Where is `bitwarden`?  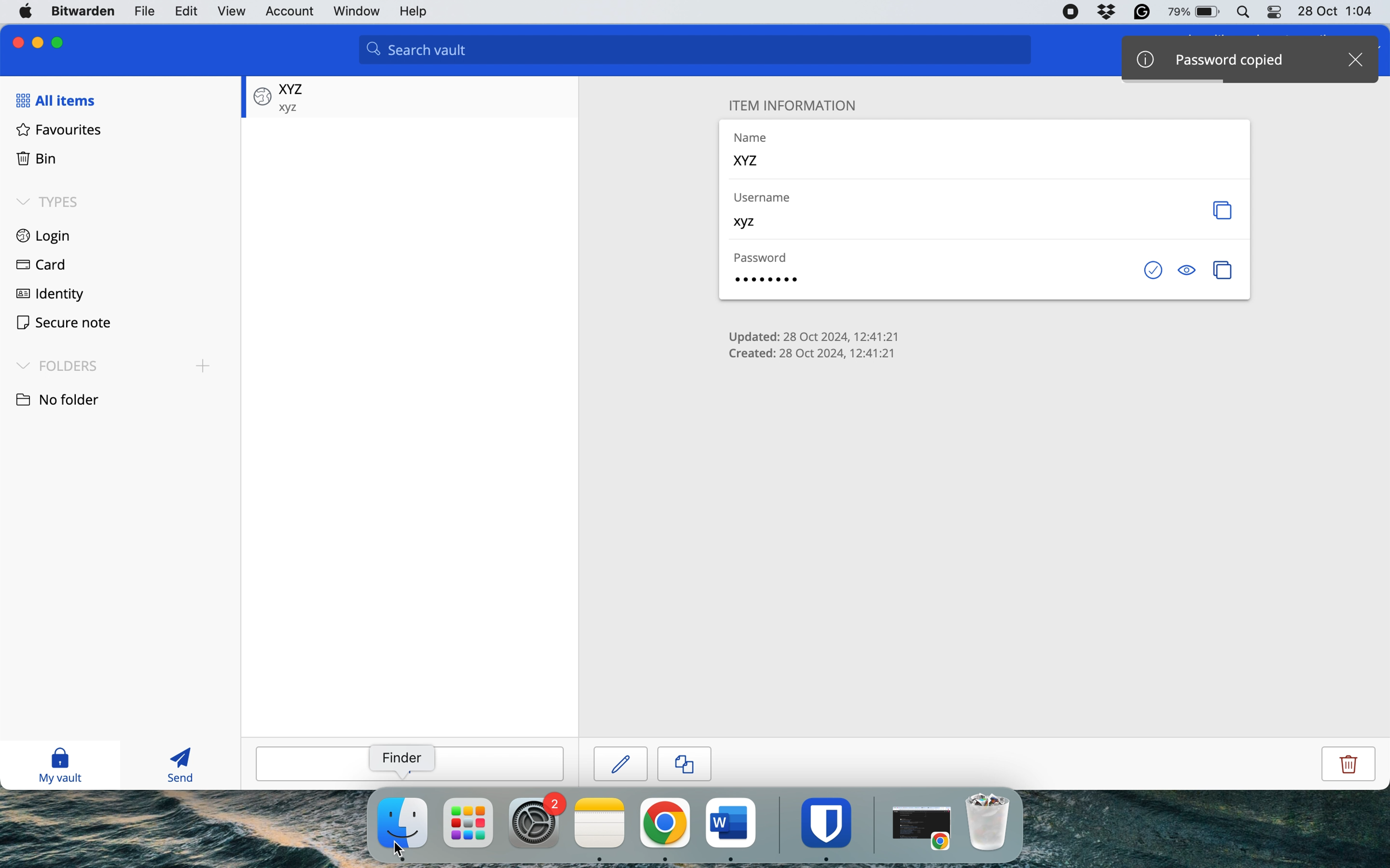
bitwarden is located at coordinates (830, 822).